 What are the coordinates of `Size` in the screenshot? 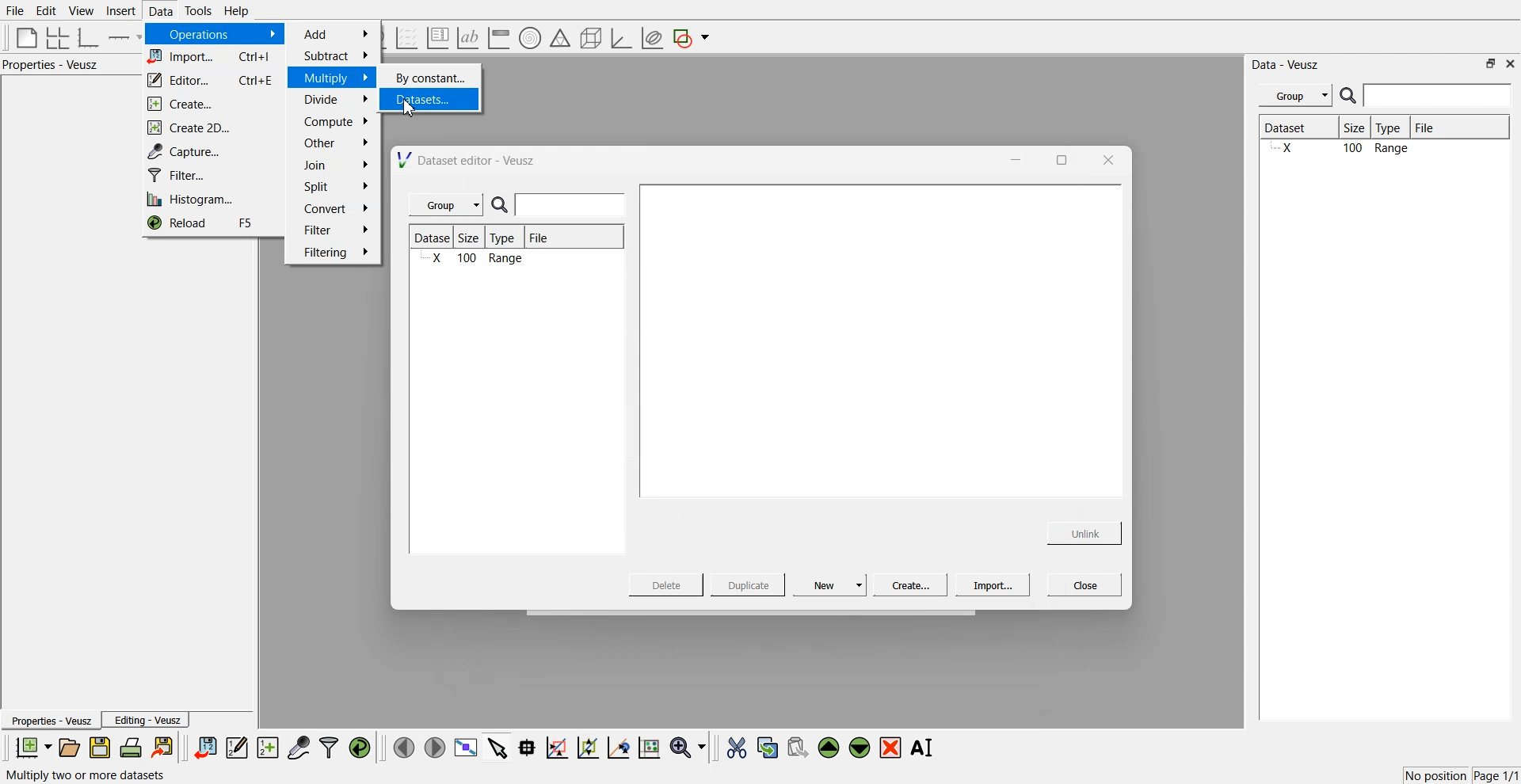 It's located at (474, 238).